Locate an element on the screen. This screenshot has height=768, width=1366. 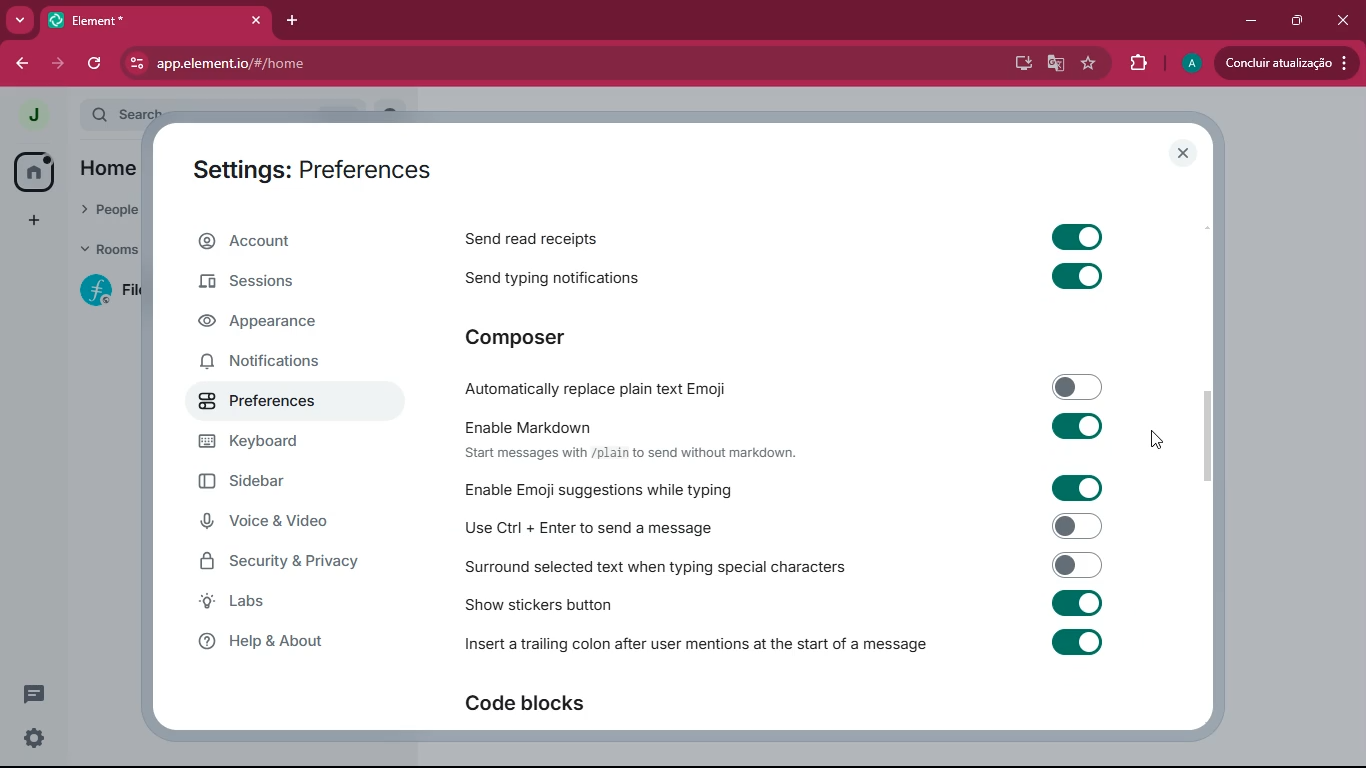
add is located at coordinates (26, 222).